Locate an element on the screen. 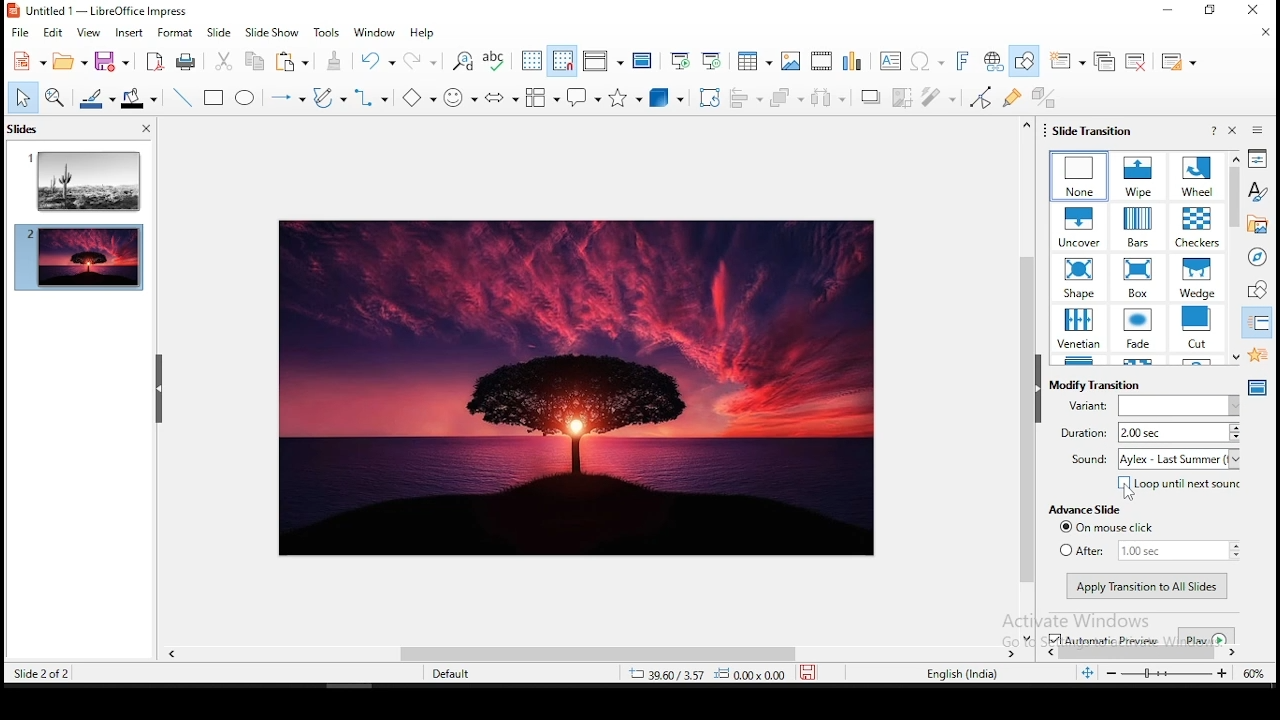  transition effects is located at coordinates (1081, 176).